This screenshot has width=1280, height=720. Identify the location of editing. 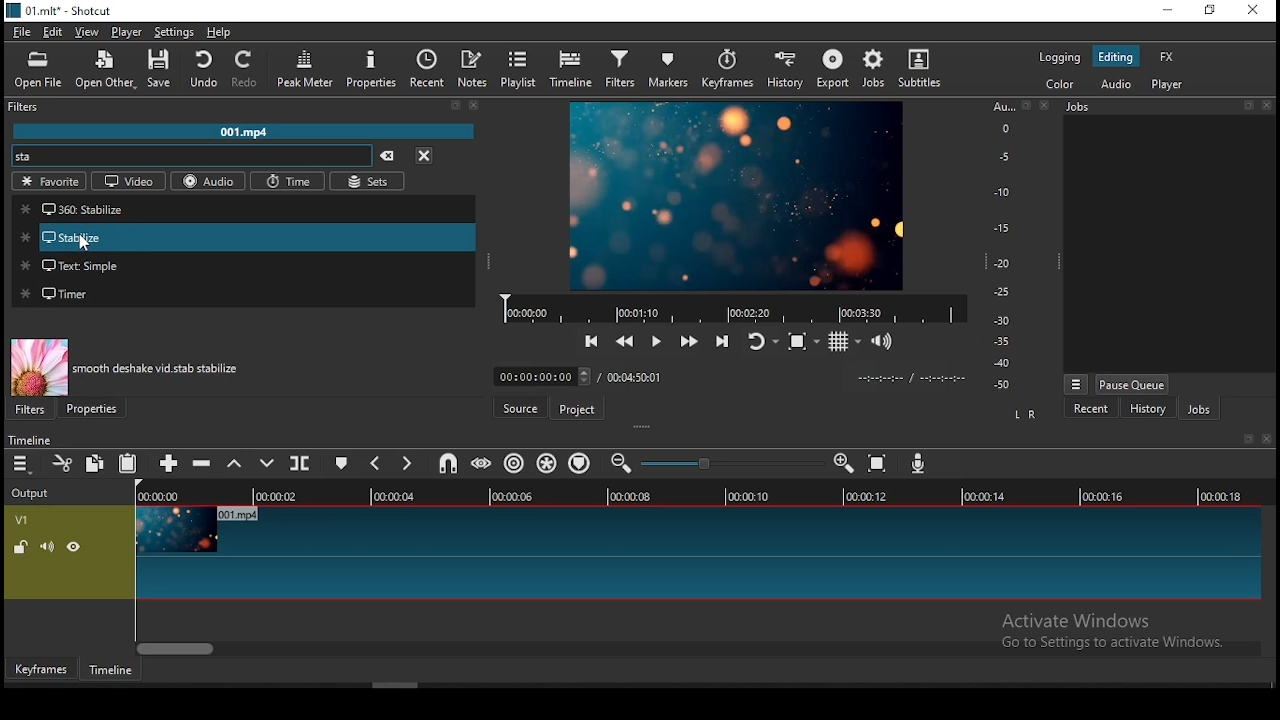
(1117, 55).